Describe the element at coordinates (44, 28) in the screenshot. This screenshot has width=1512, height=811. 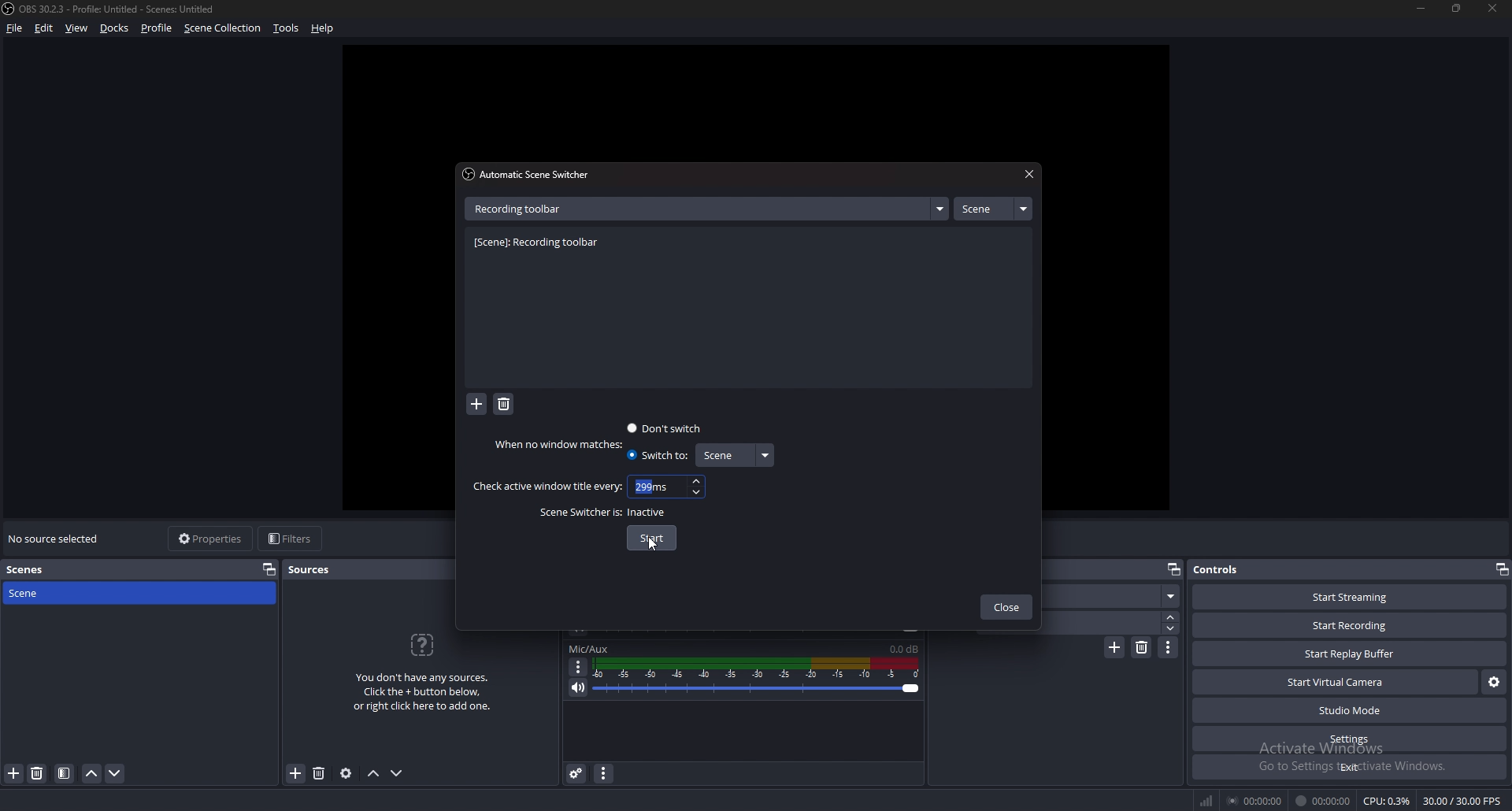
I see `edit` at that location.